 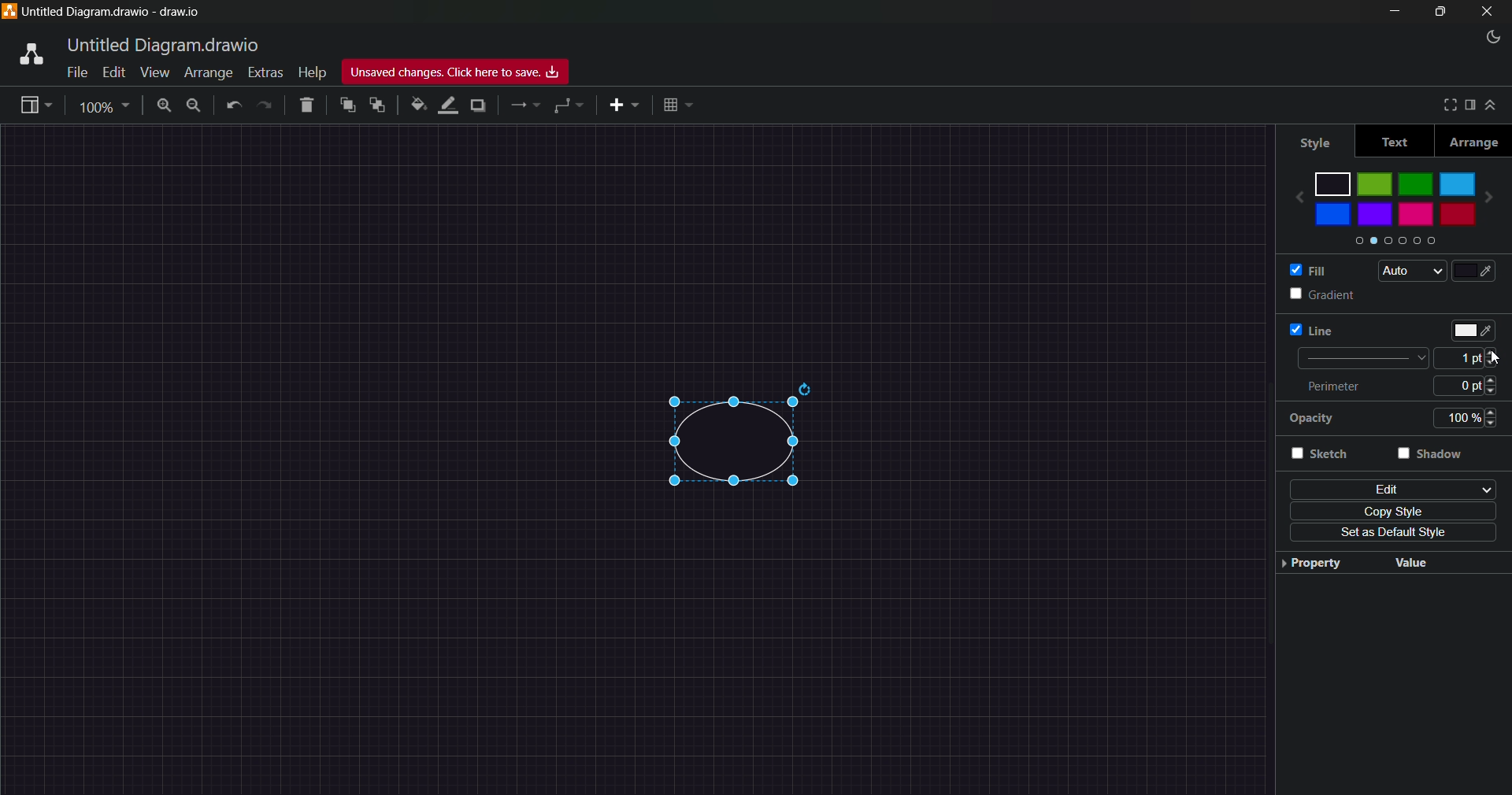 What do you see at coordinates (75, 73) in the screenshot?
I see `file` at bounding box center [75, 73].